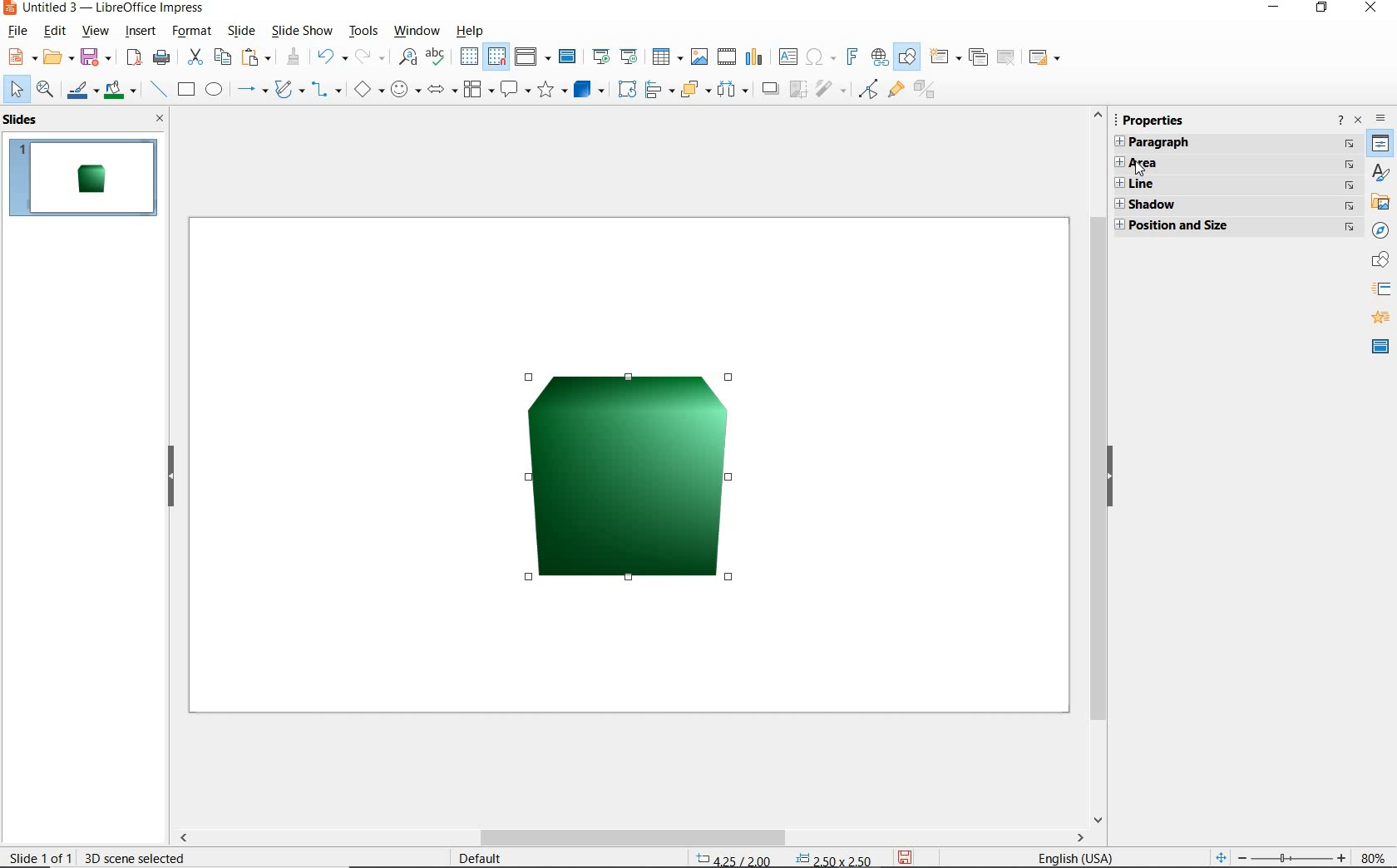  Describe the element at coordinates (162, 59) in the screenshot. I see `print` at that location.